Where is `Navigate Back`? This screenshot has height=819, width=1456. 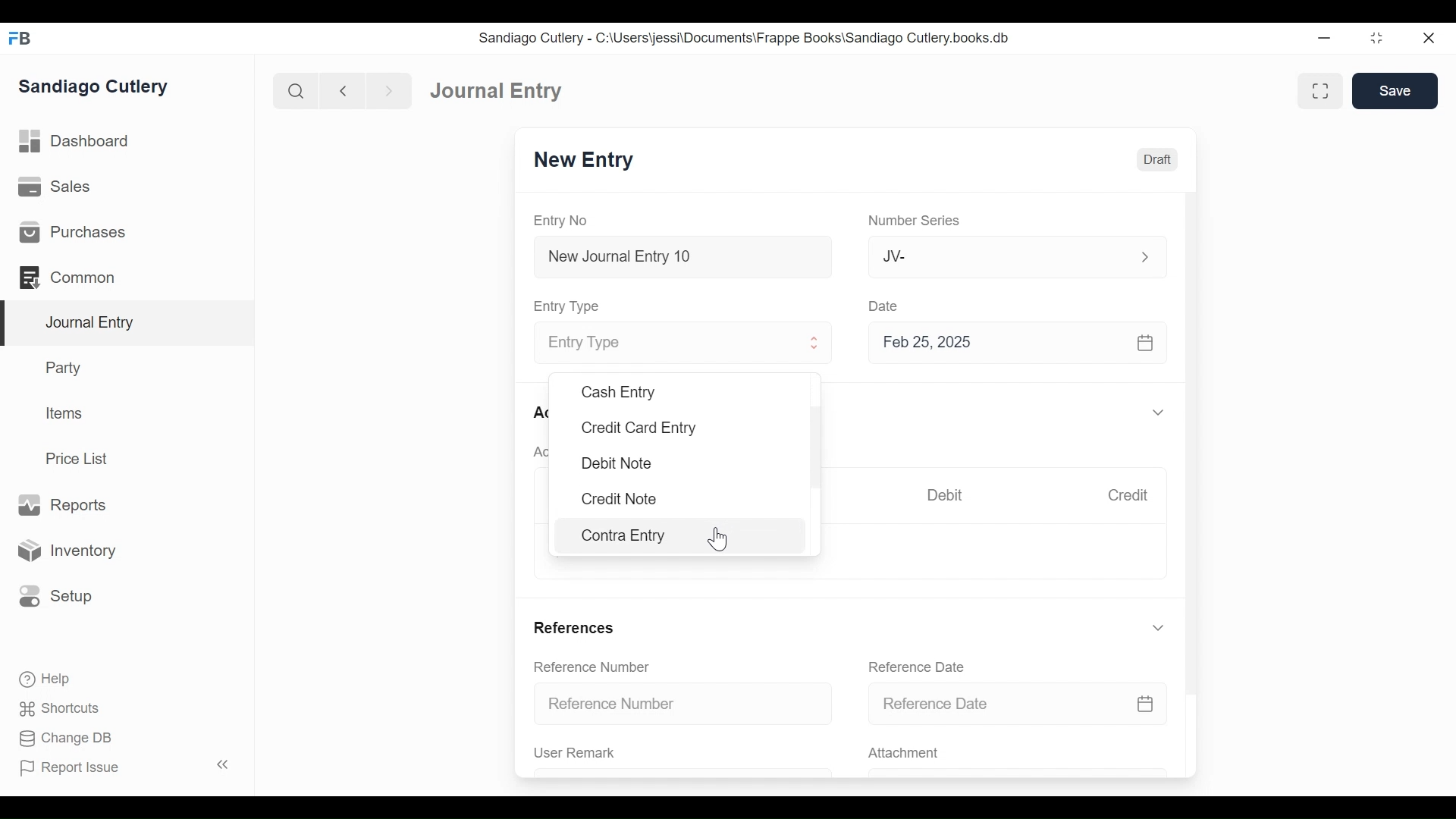
Navigate Back is located at coordinates (344, 91).